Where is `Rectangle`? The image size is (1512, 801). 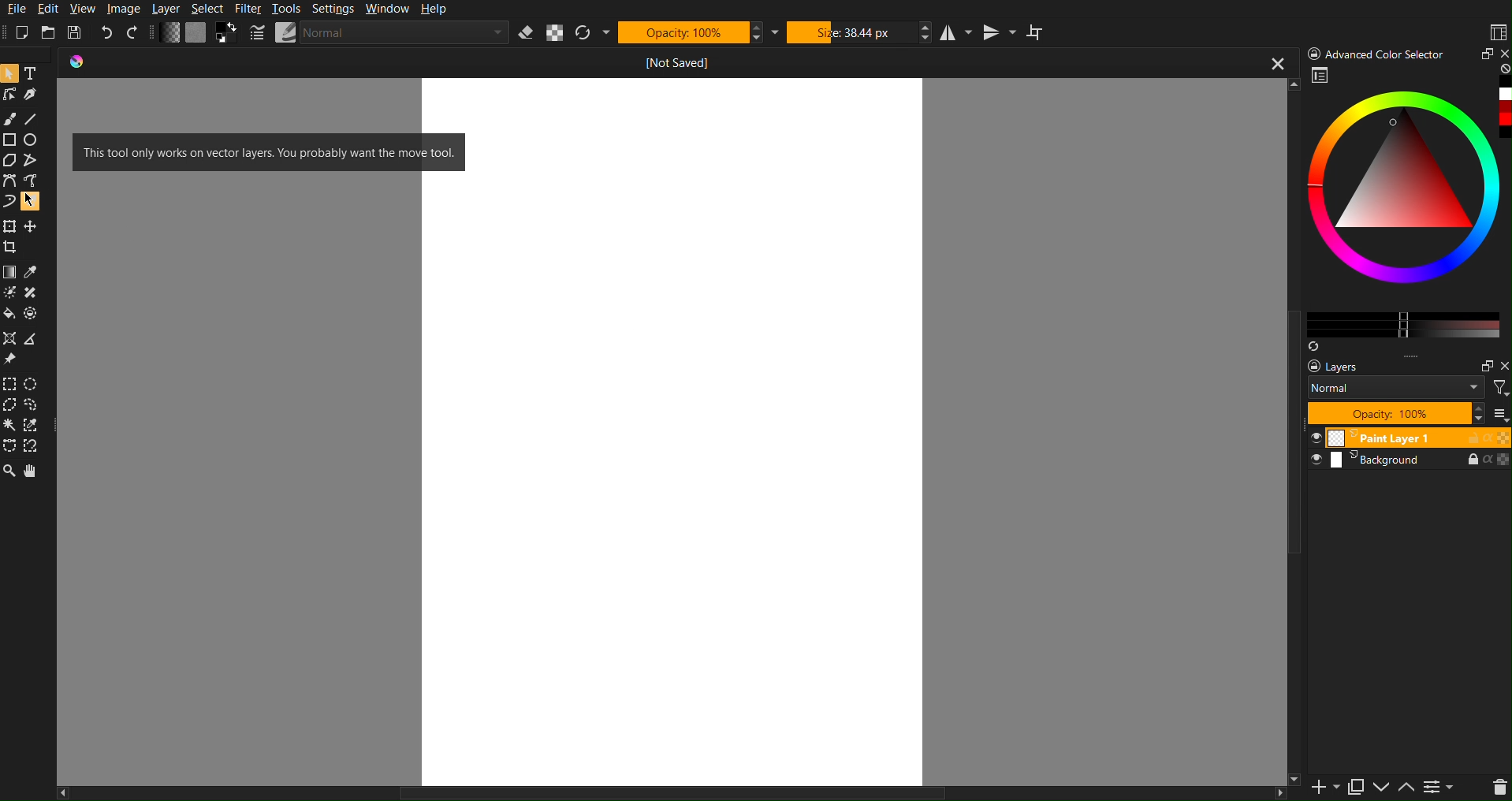
Rectangle is located at coordinates (10, 140).